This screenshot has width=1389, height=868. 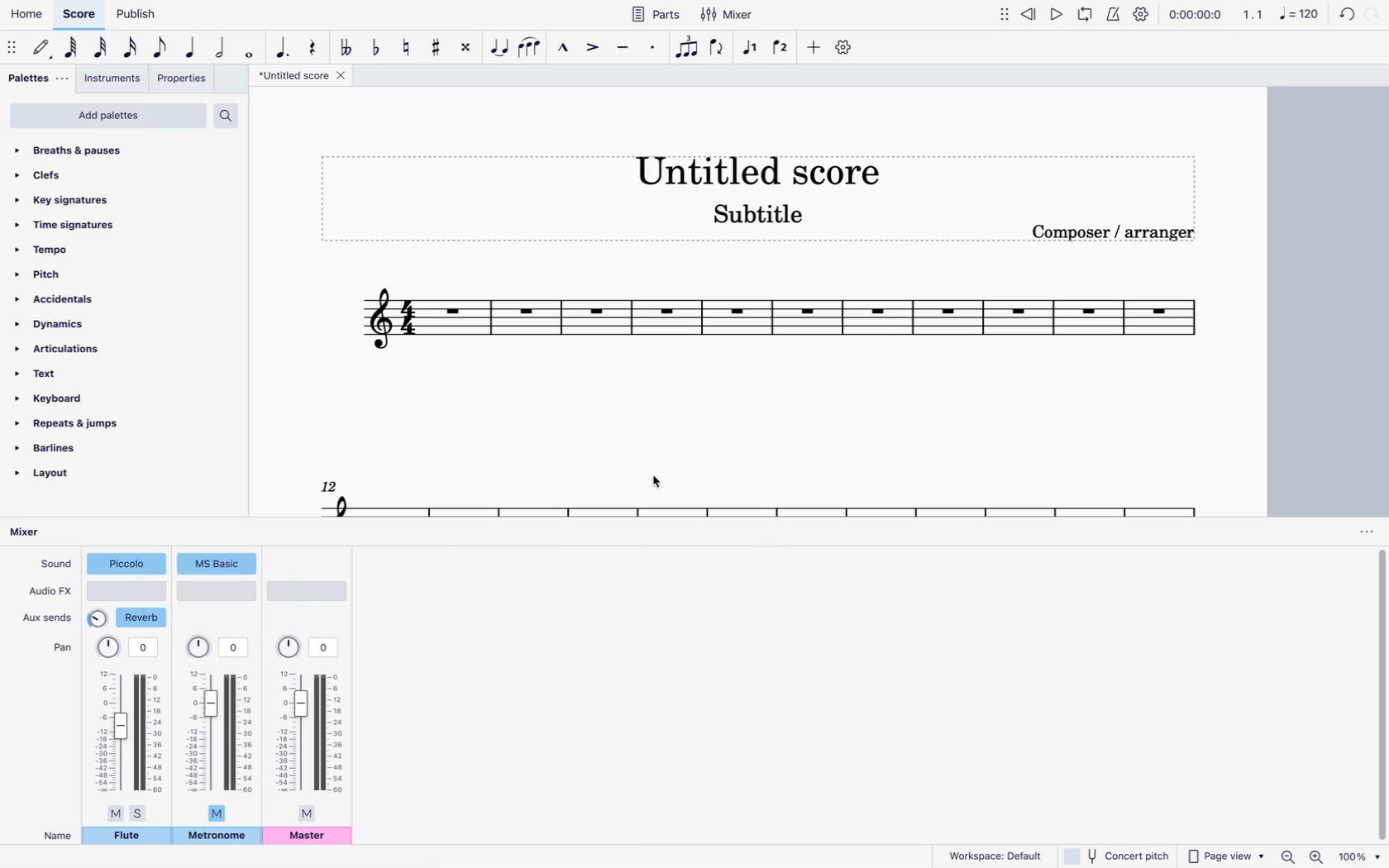 What do you see at coordinates (731, 14) in the screenshot?
I see `mixer` at bounding box center [731, 14].